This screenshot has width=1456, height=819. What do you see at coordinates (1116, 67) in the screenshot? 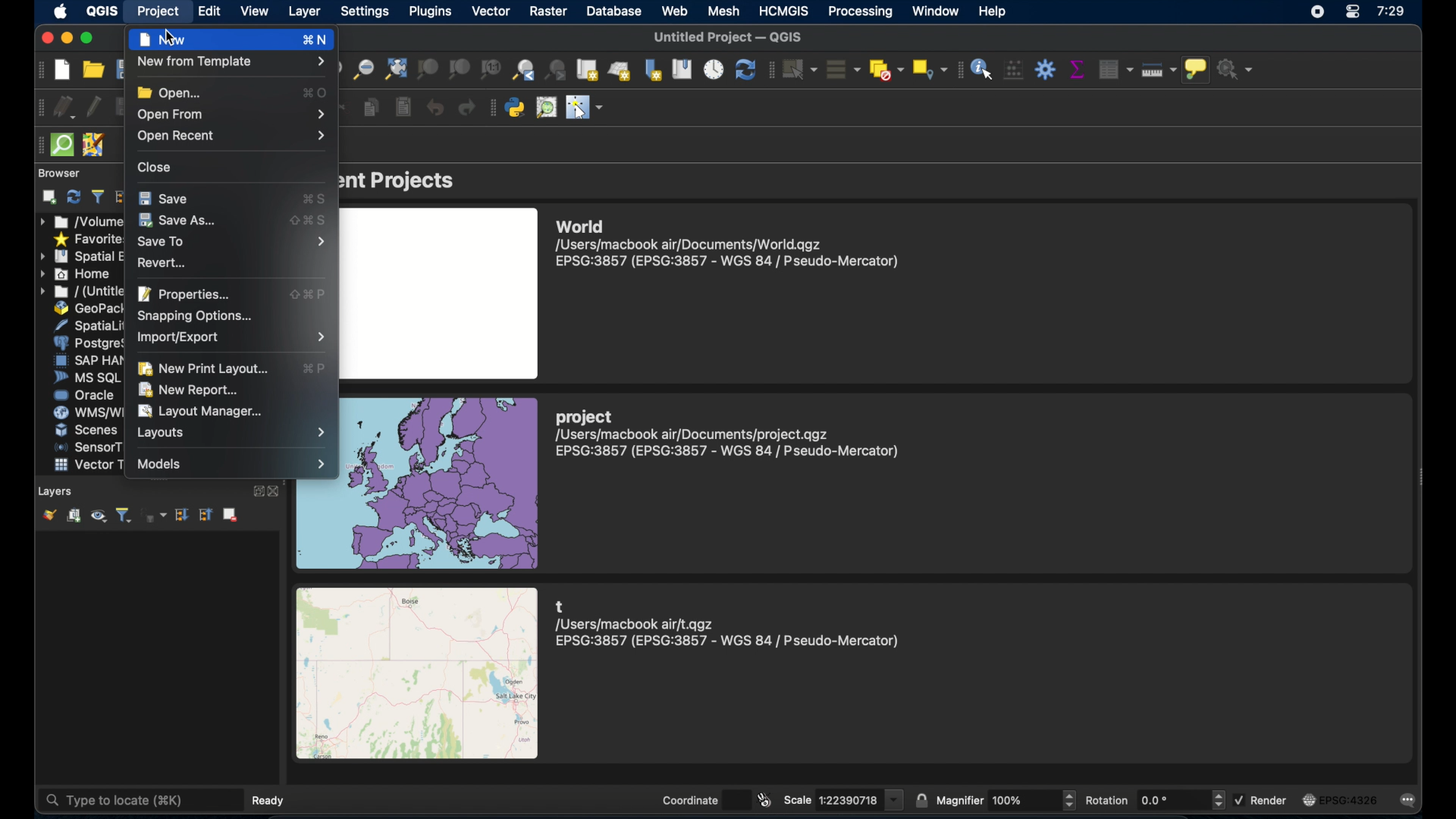
I see `open attribute table` at bounding box center [1116, 67].